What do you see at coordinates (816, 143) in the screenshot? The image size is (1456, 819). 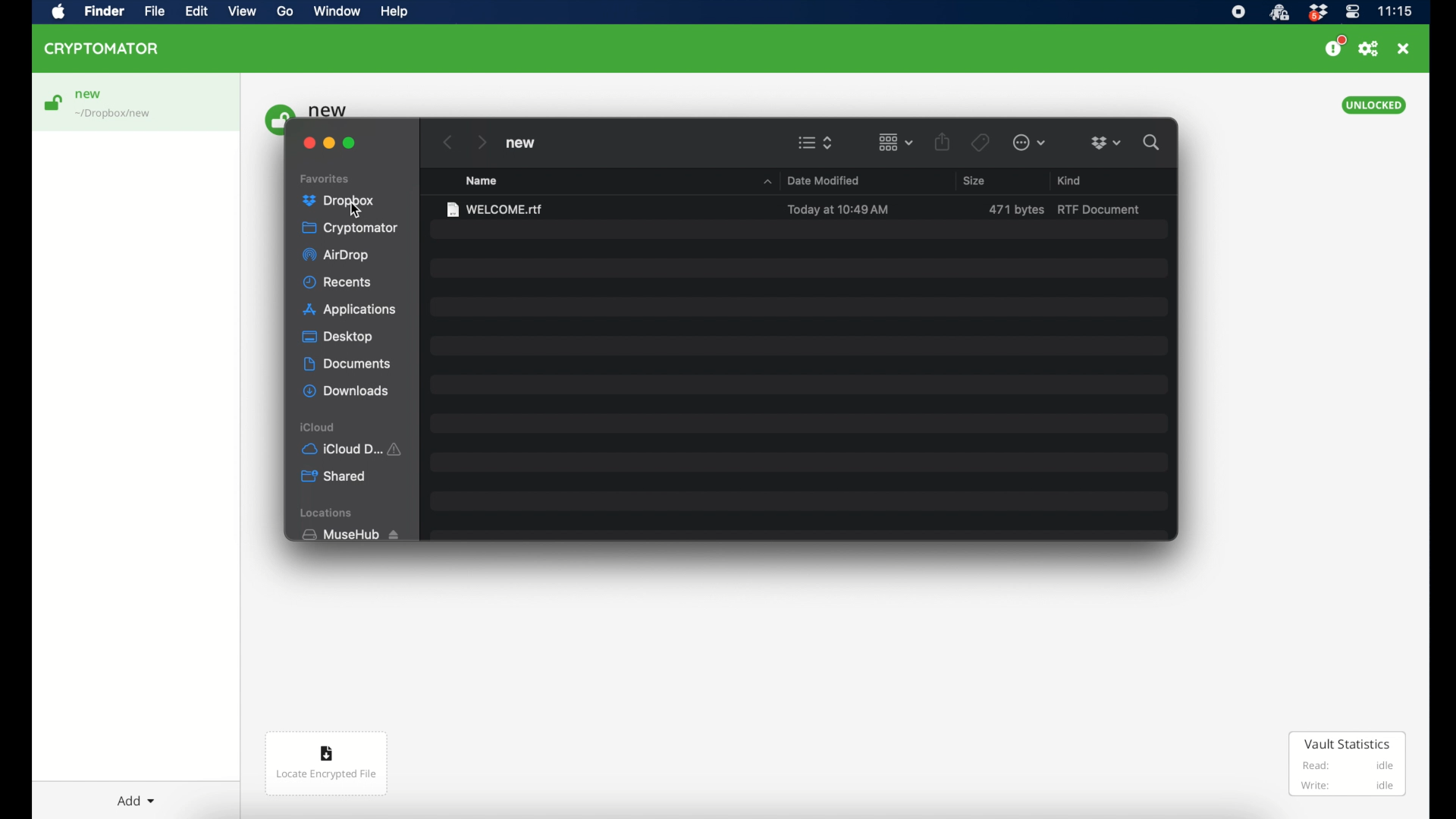 I see `view options` at bounding box center [816, 143].